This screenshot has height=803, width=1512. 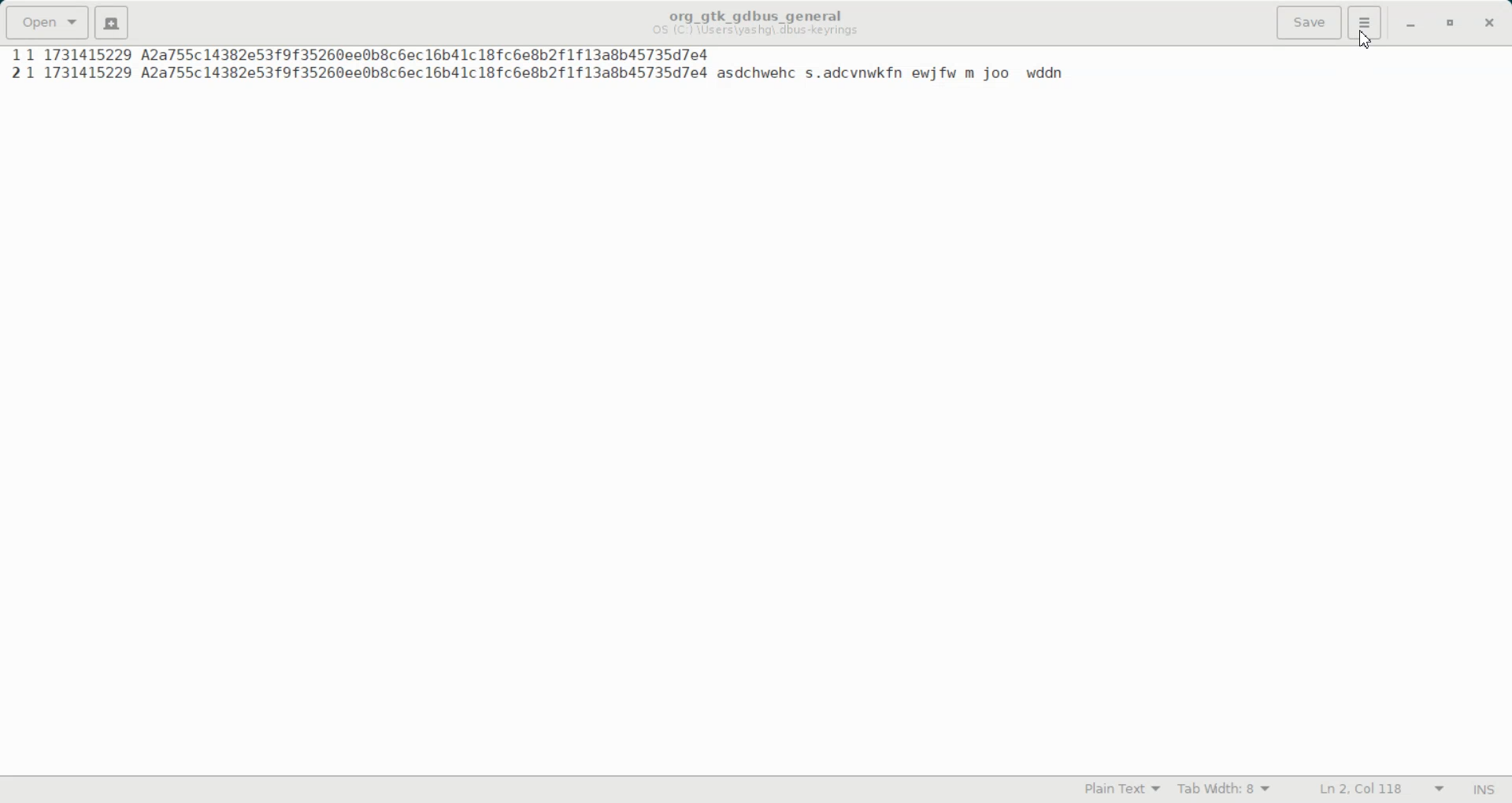 What do you see at coordinates (1490, 23) in the screenshot?
I see `Close` at bounding box center [1490, 23].